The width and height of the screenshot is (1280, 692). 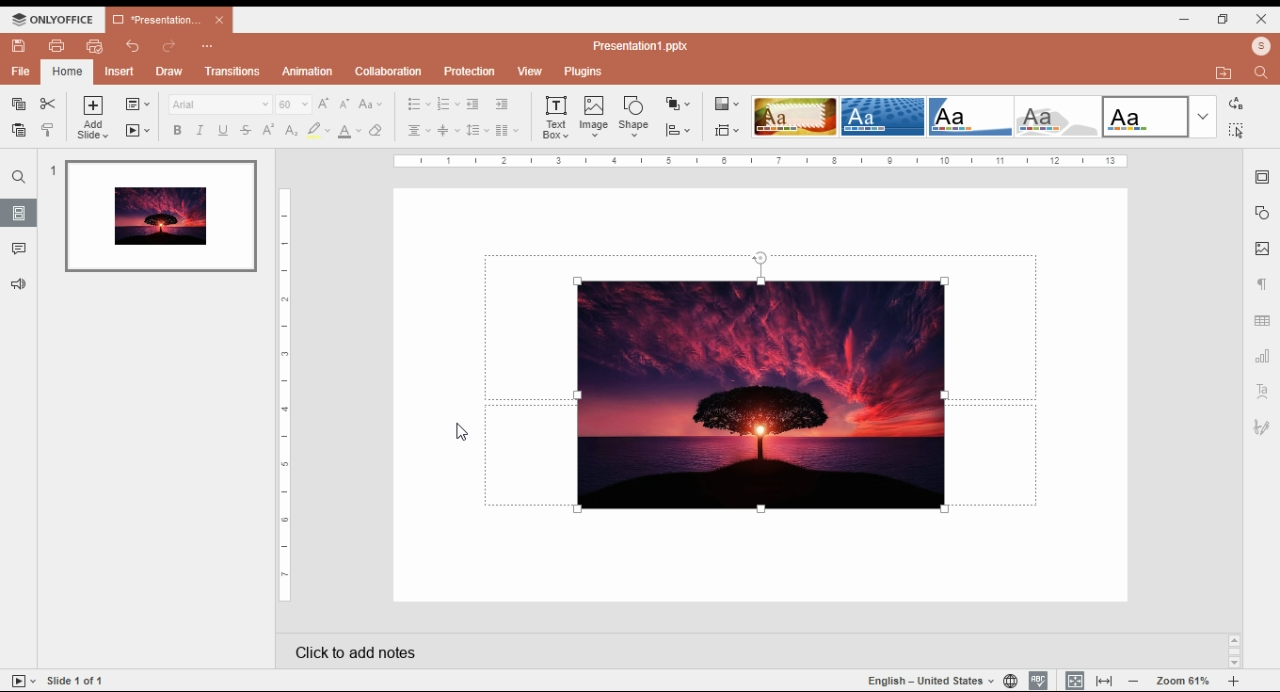 What do you see at coordinates (1263, 18) in the screenshot?
I see `close window` at bounding box center [1263, 18].